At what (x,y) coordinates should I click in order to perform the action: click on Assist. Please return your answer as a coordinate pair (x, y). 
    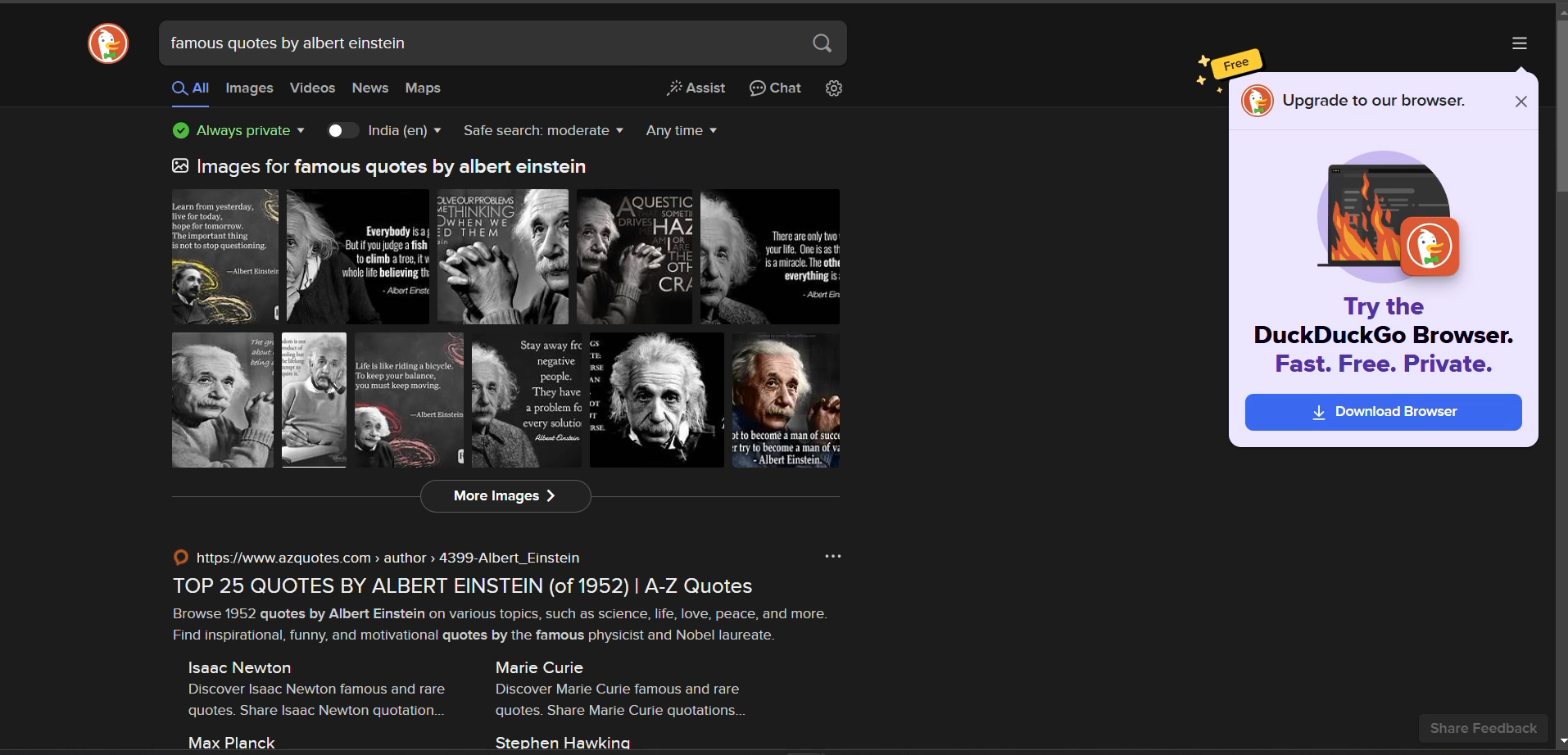
    Looking at the image, I should click on (699, 91).